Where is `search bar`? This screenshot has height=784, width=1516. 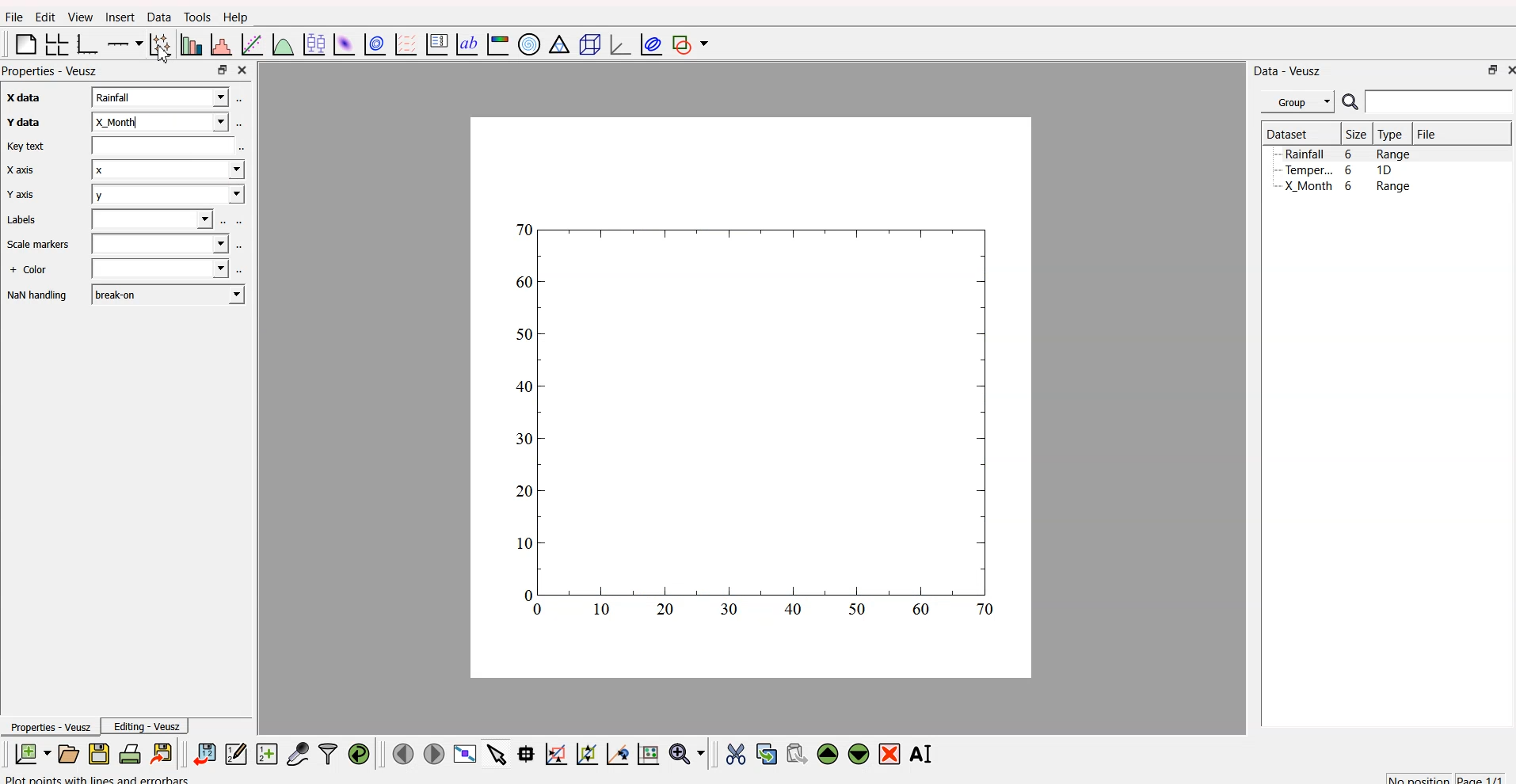 search bar is located at coordinates (1442, 104).